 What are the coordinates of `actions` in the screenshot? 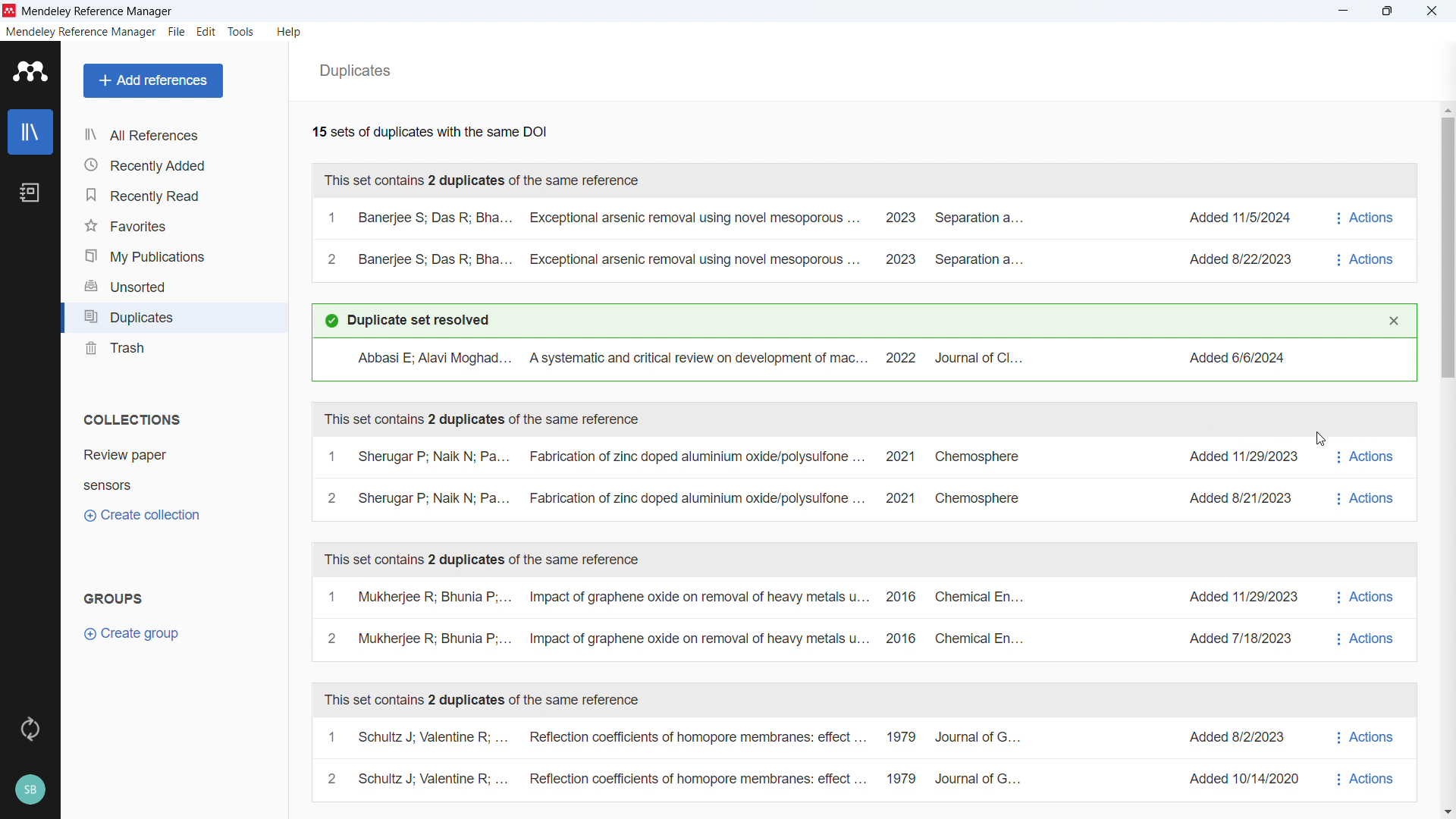 It's located at (1366, 758).